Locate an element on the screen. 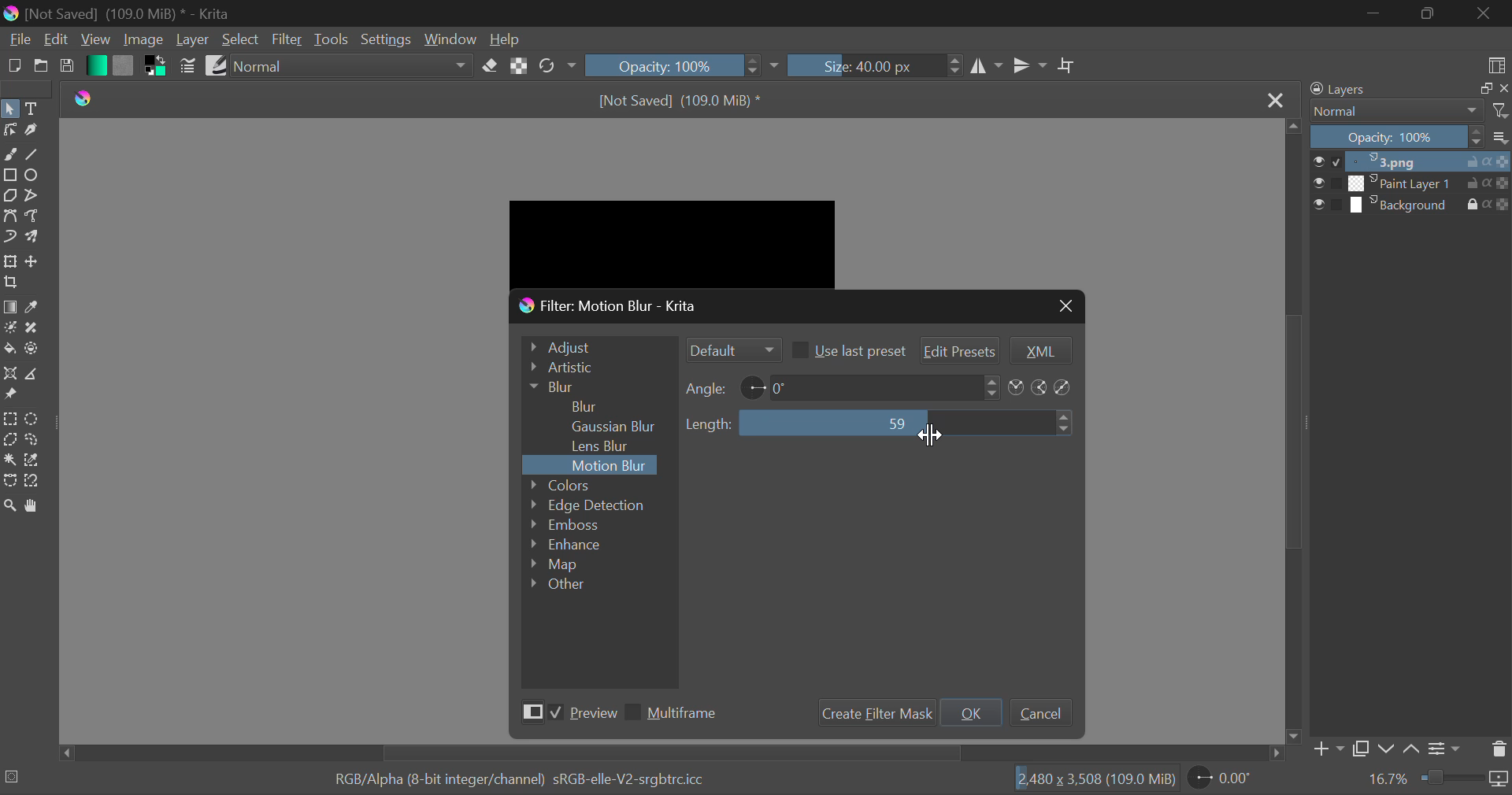  Calligraphic Tool is located at coordinates (31, 131).